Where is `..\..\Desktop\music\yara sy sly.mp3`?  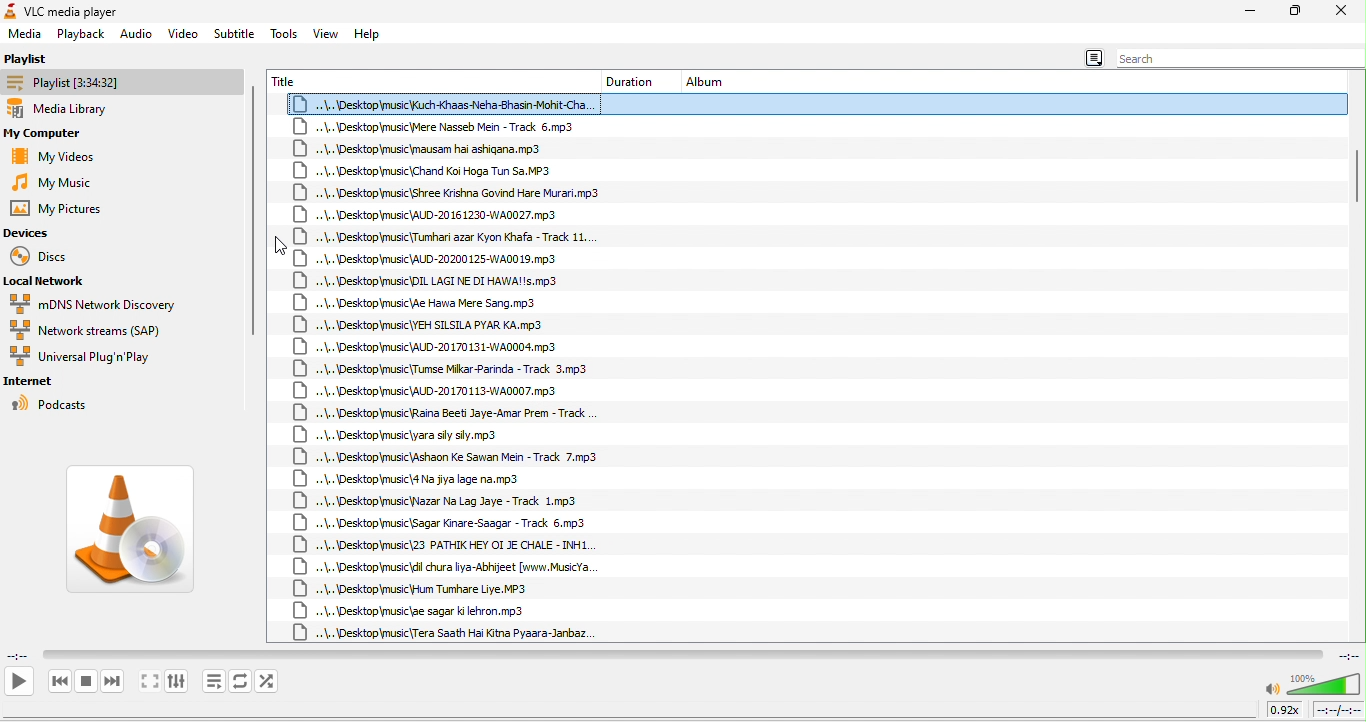 ..\..\Desktop\music\yara sy sly.mp3 is located at coordinates (397, 435).